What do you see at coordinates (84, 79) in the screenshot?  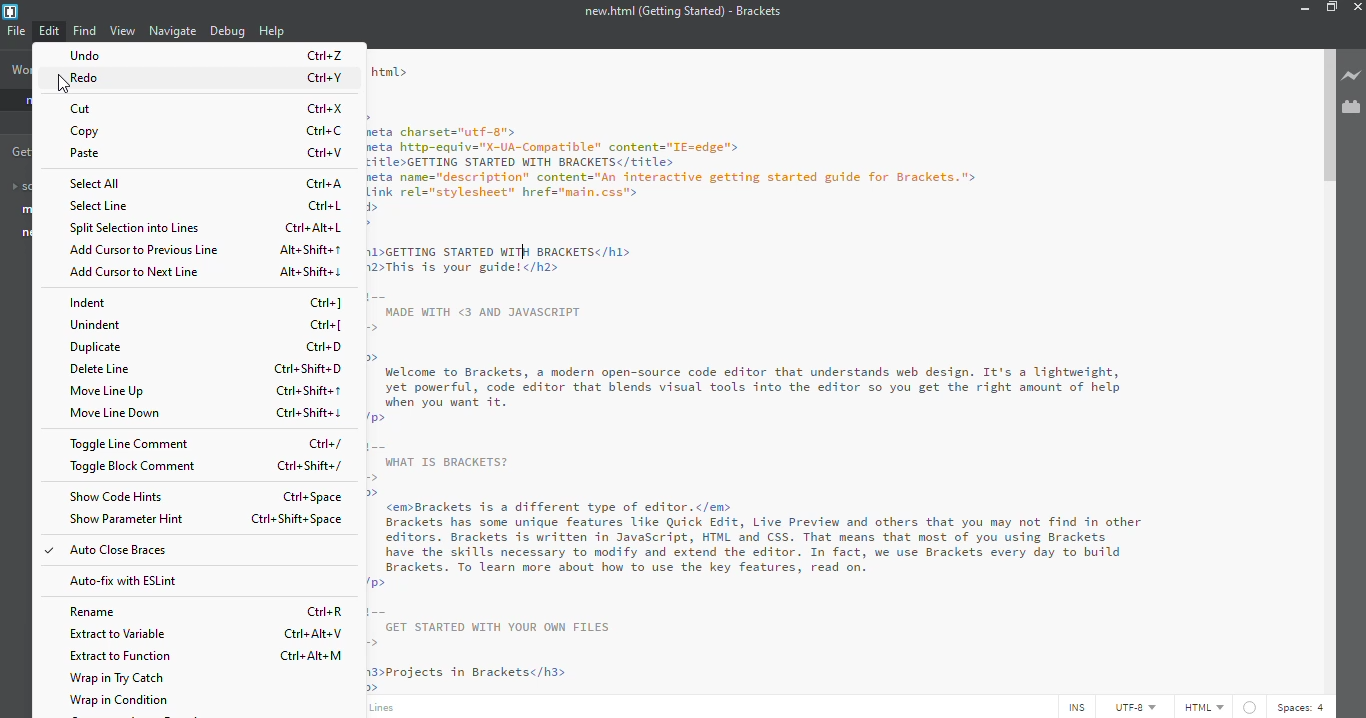 I see `redo` at bounding box center [84, 79].